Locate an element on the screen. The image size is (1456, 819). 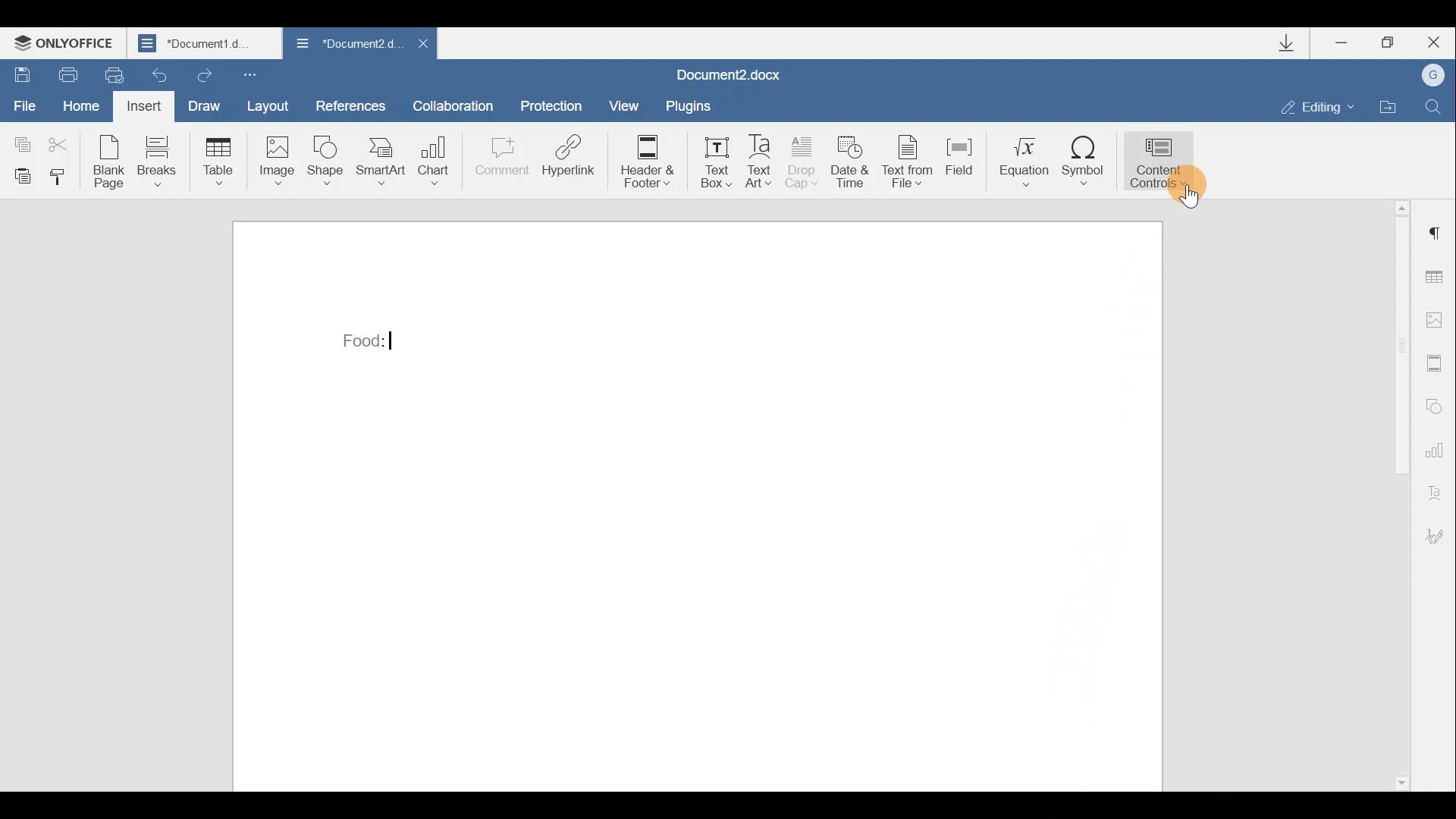
Layout is located at coordinates (267, 105).